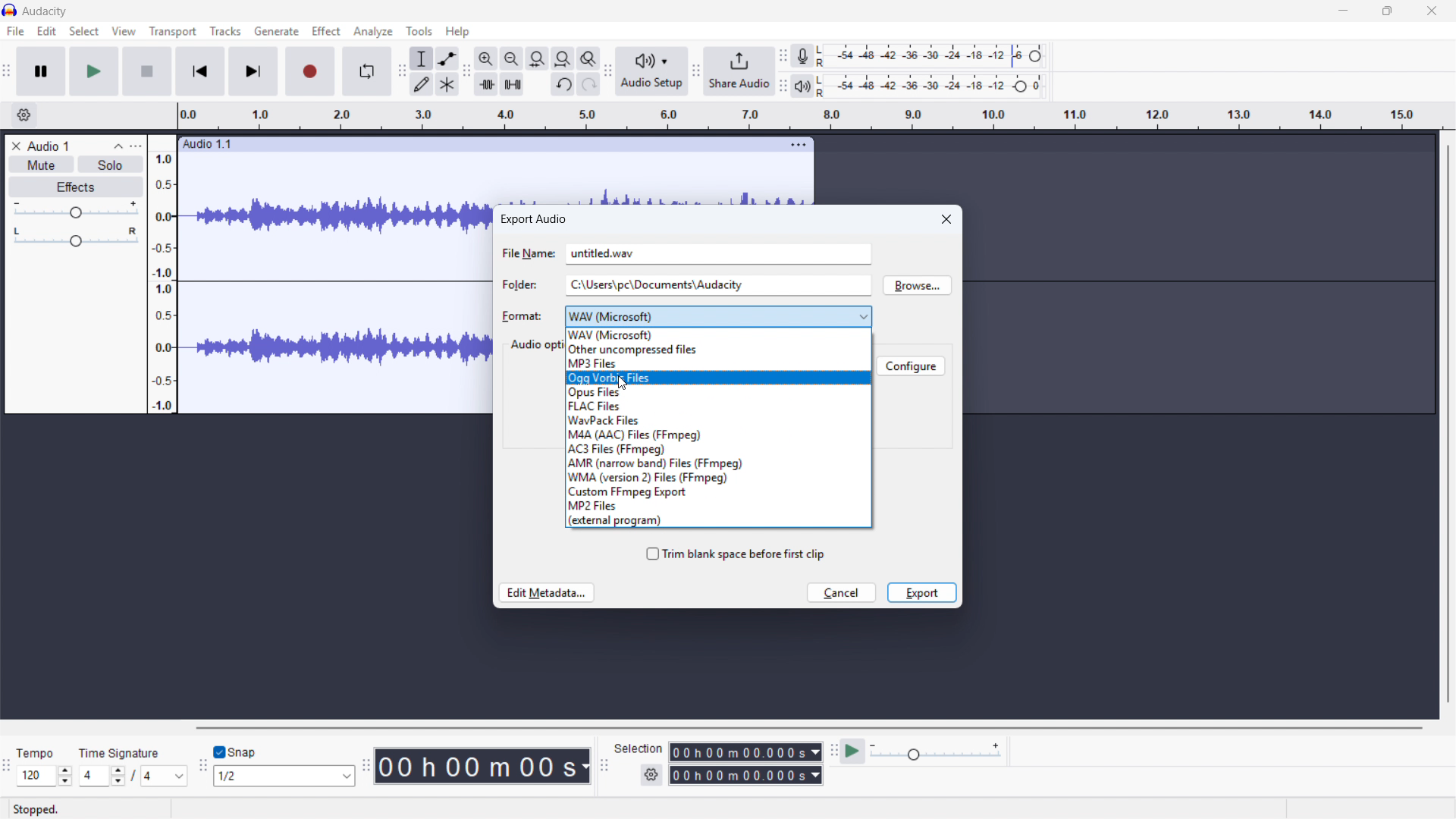 The height and width of the screenshot is (819, 1456). What do you see at coordinates (310, 71) in the screenshot?
I see `Record ` at bounding box center [310, 71].